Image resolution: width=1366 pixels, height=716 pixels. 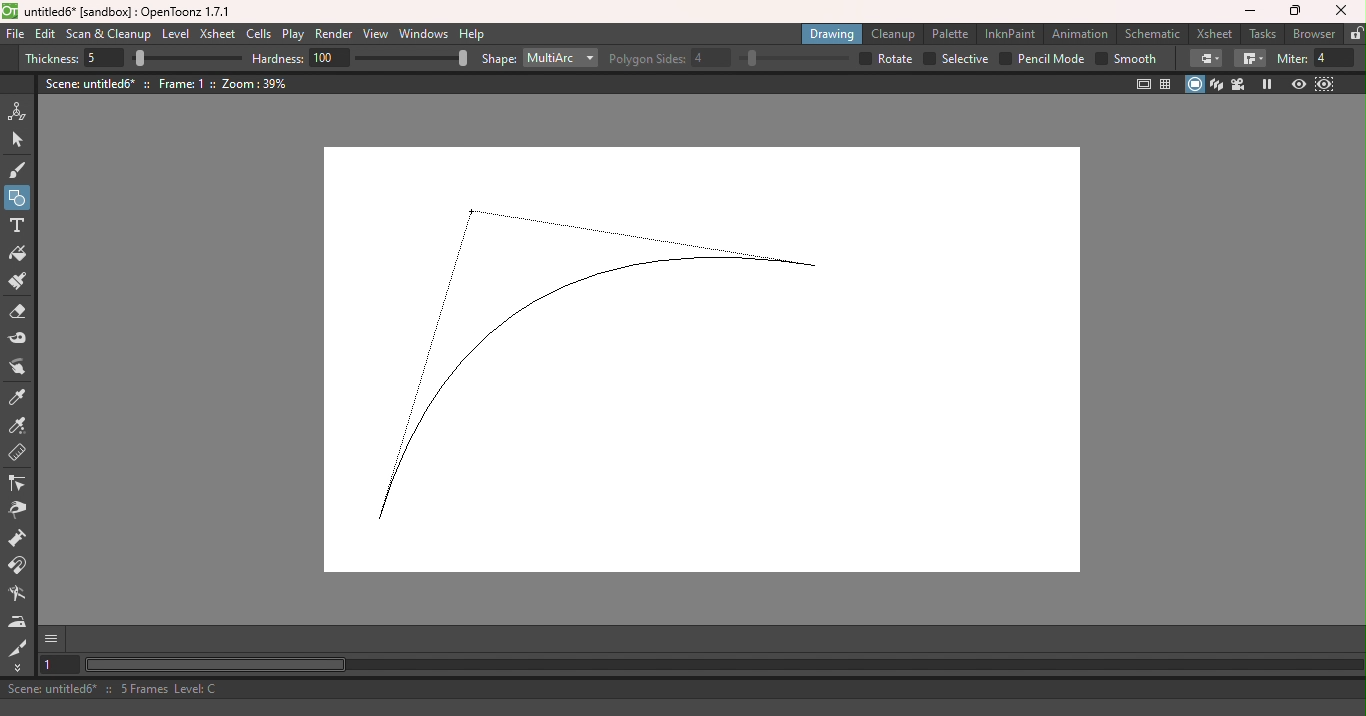 I want to click on RGB picker tool, so click(x=19, y=426).